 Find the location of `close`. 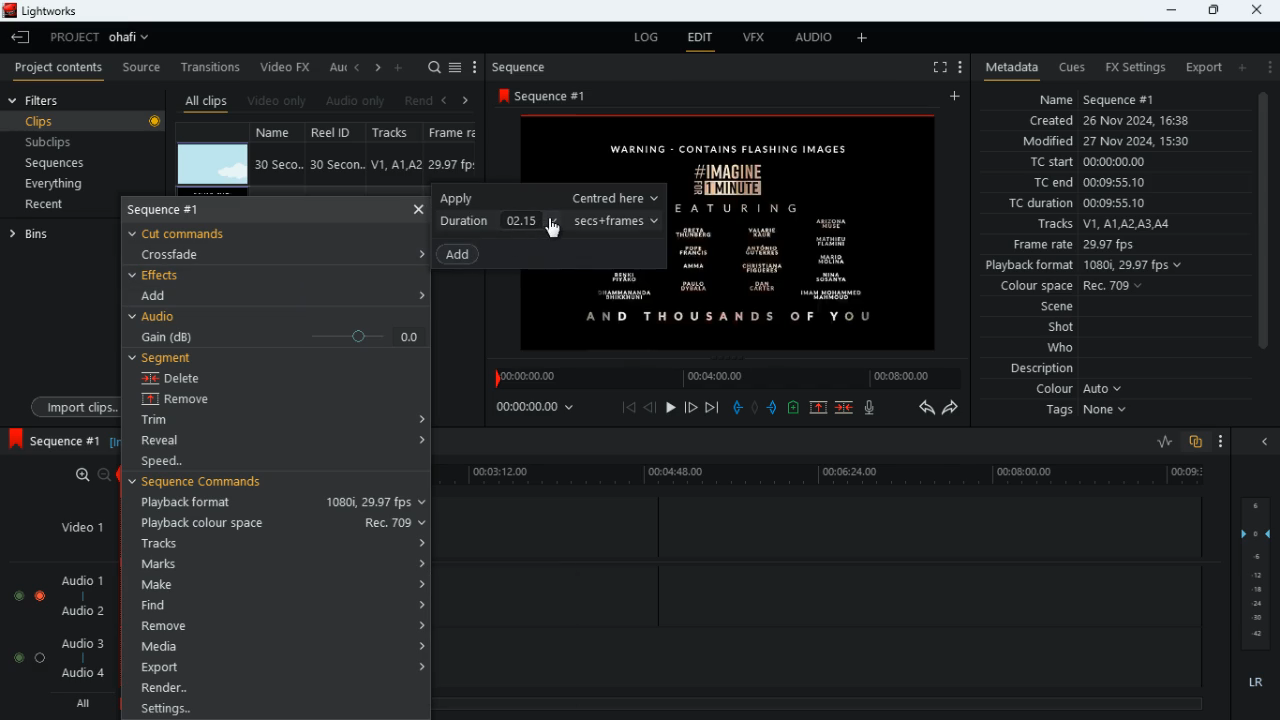

close is located at coordinates (418, 208).